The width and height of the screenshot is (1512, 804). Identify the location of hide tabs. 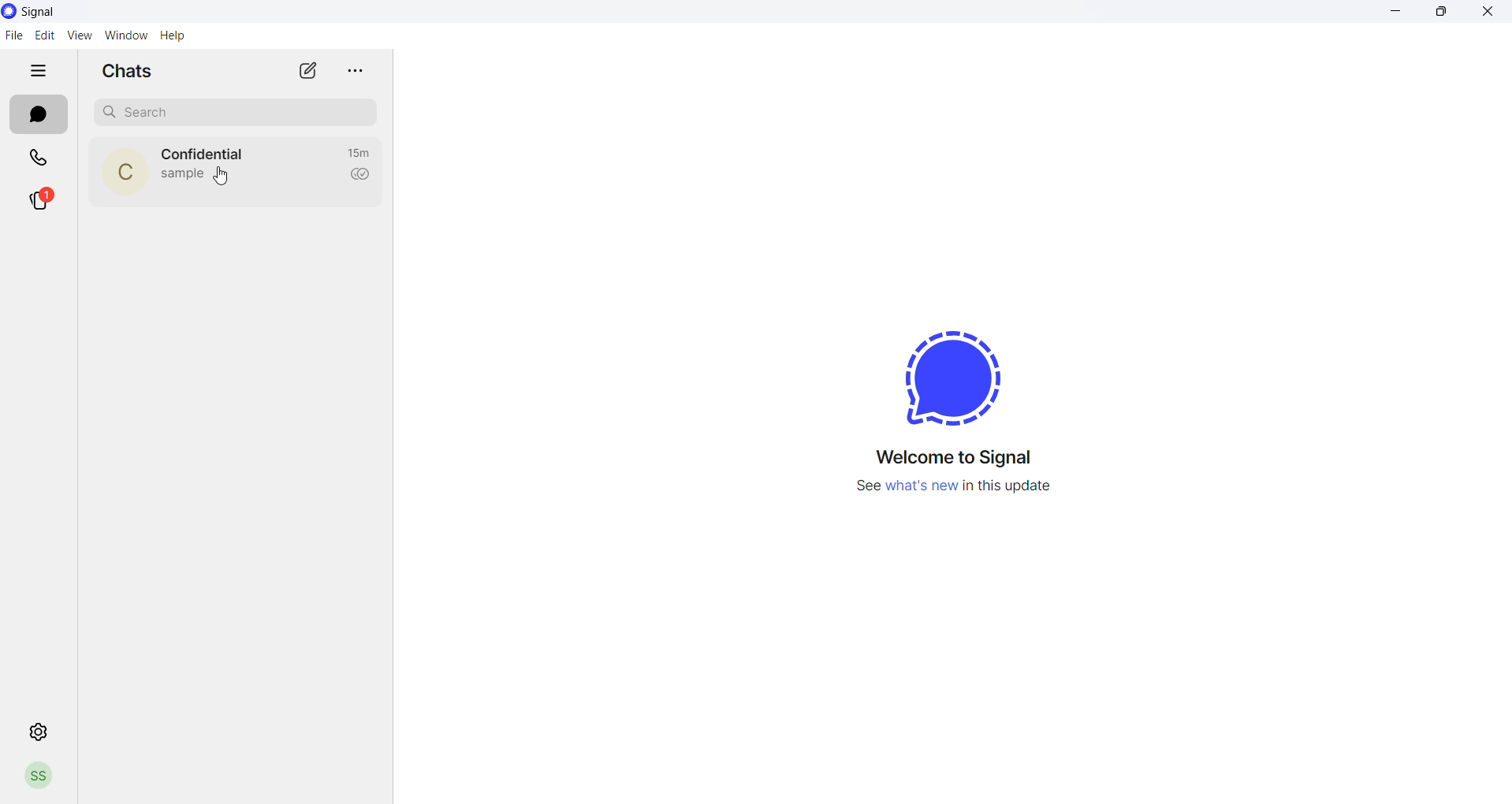
(40, 72).